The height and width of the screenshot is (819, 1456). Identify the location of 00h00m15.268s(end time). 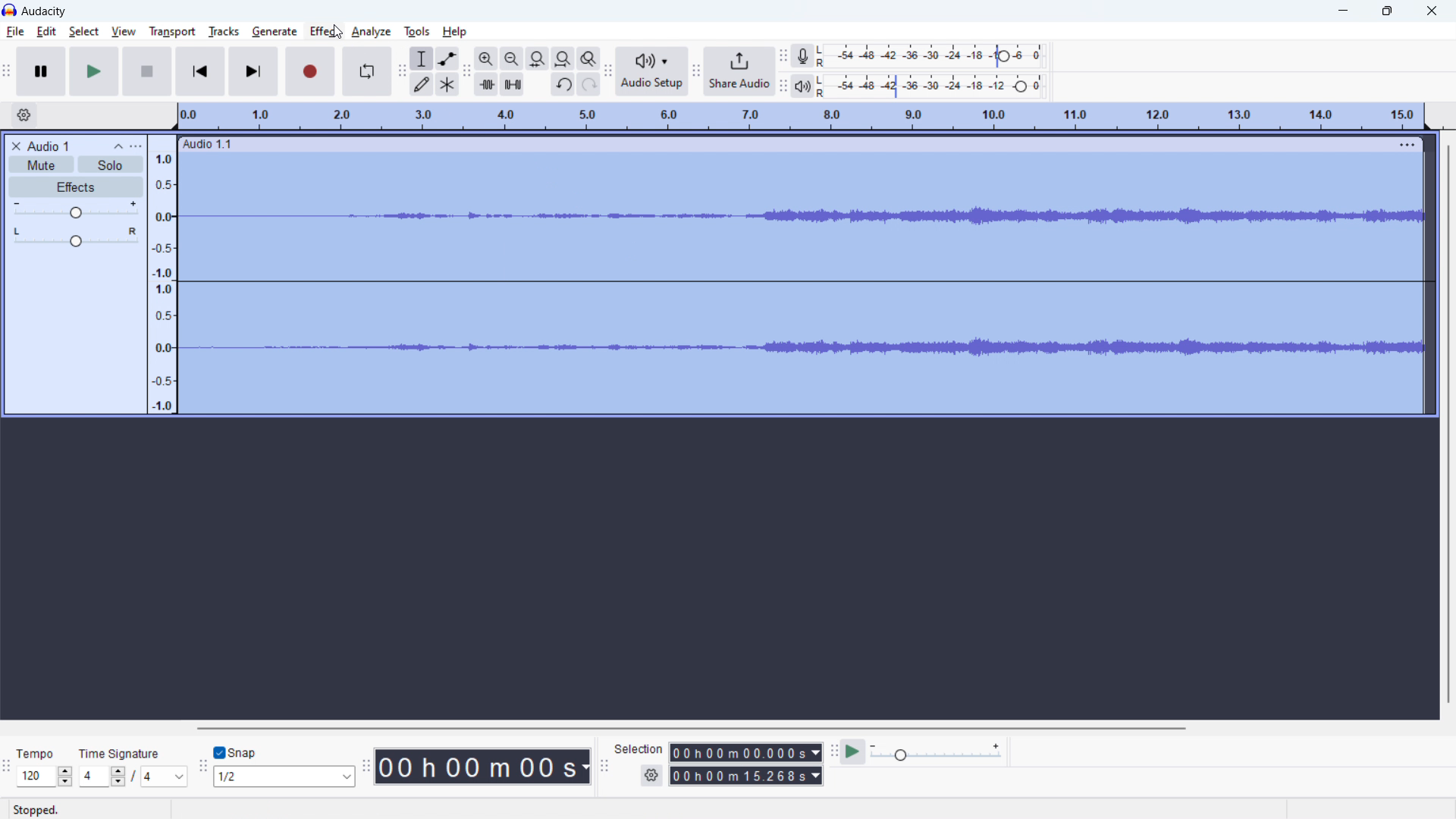
(745, 776).